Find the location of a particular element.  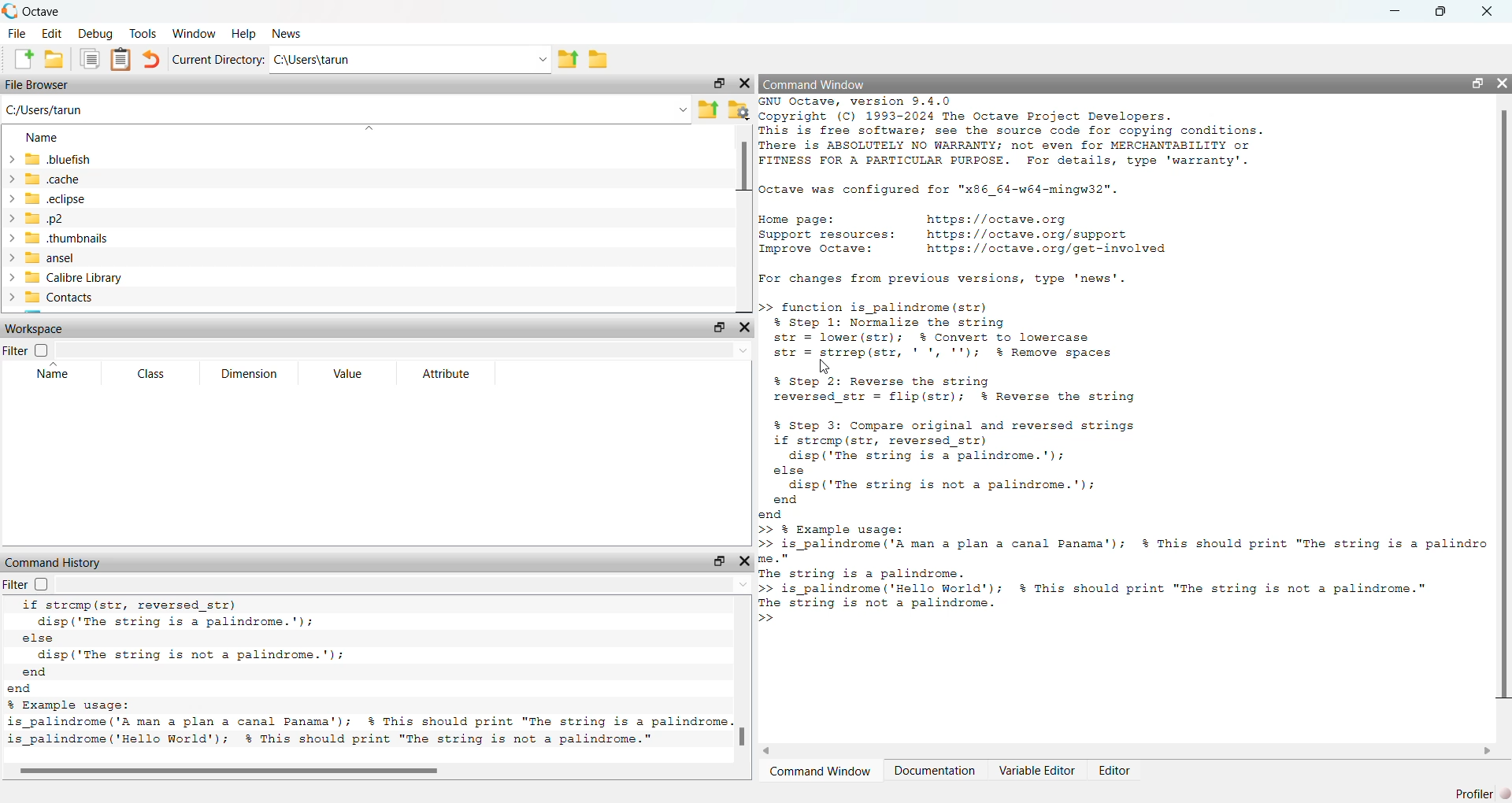

| For changes from previous versions, type 'news'. is located at coordinates (944, 277).